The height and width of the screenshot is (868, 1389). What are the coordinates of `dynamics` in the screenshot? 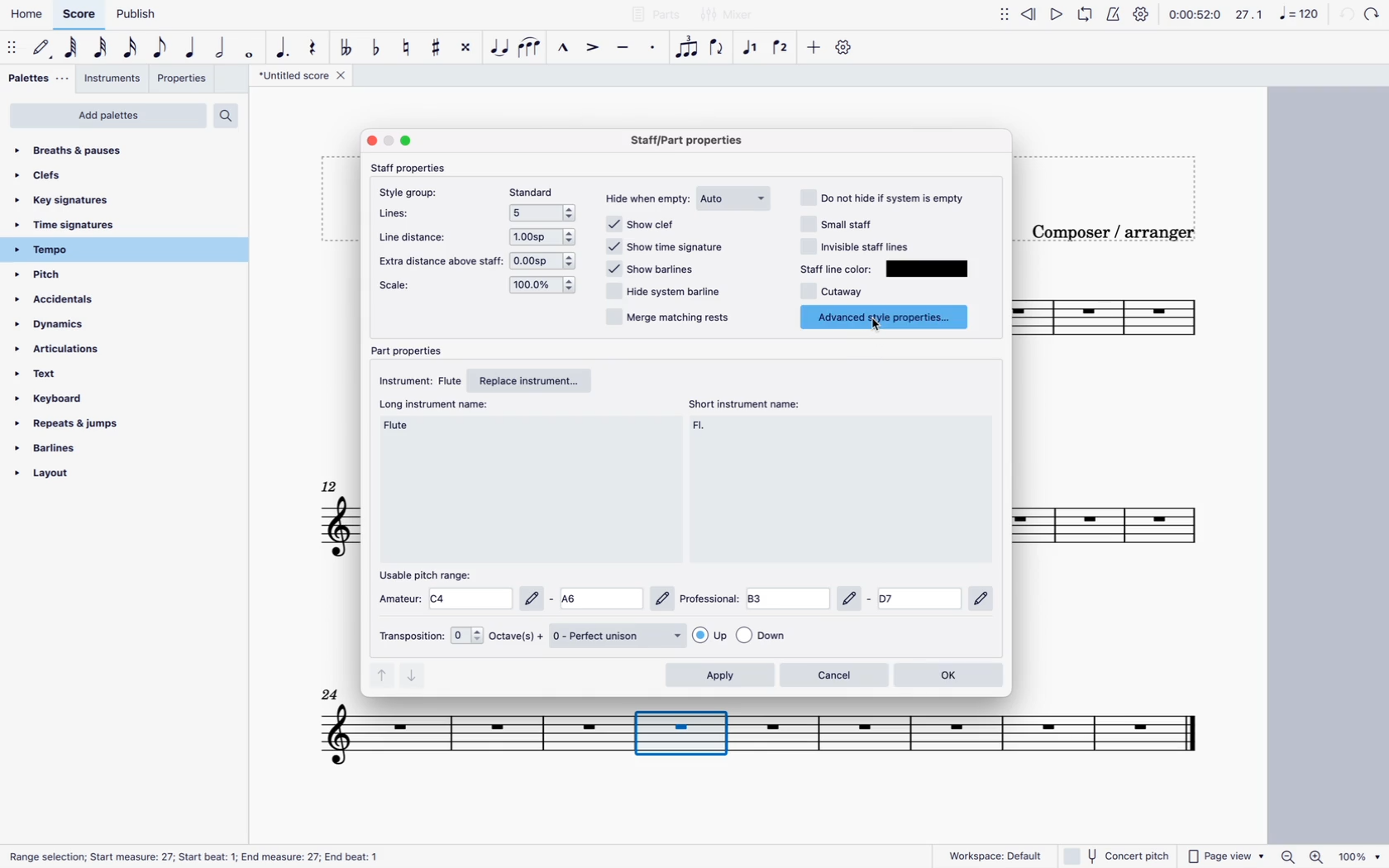 It's located at (60, 325).